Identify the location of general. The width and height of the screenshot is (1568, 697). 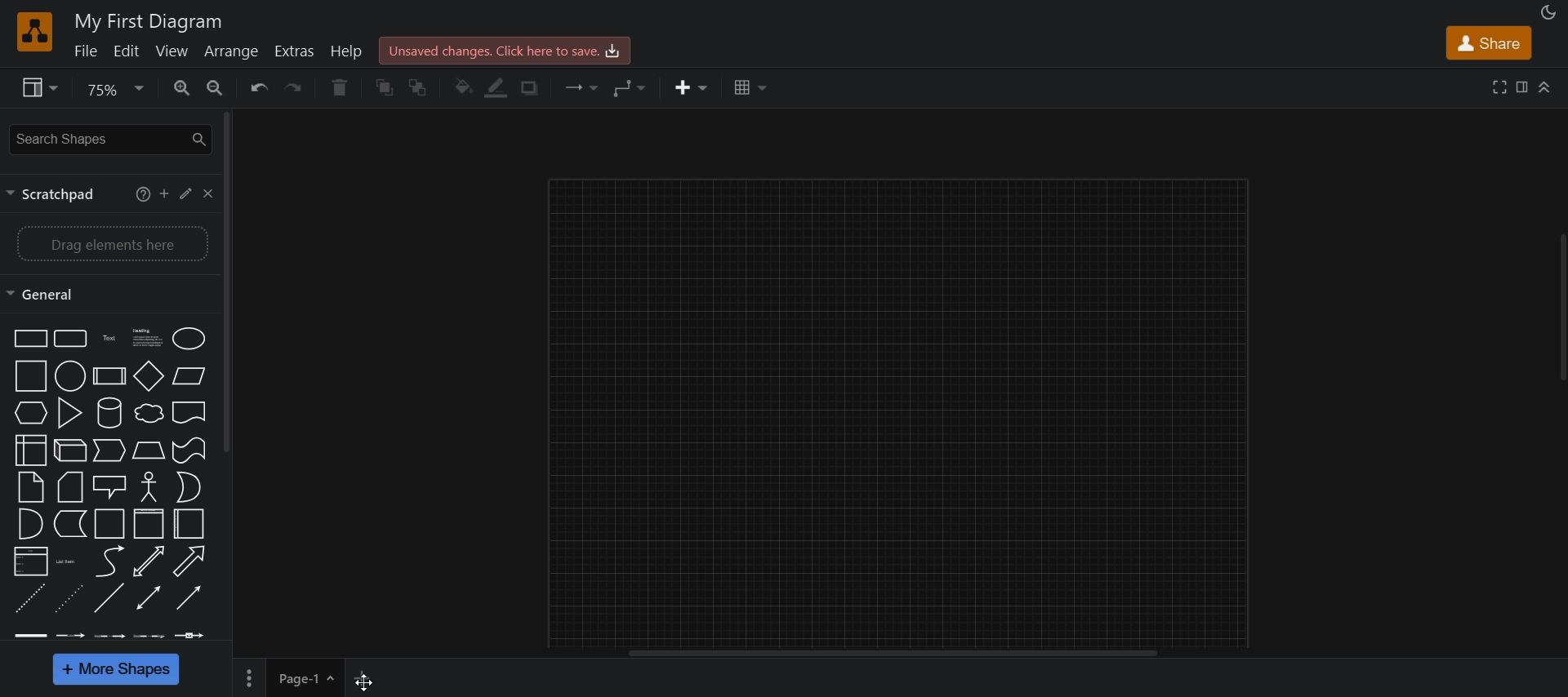
(45, 296).